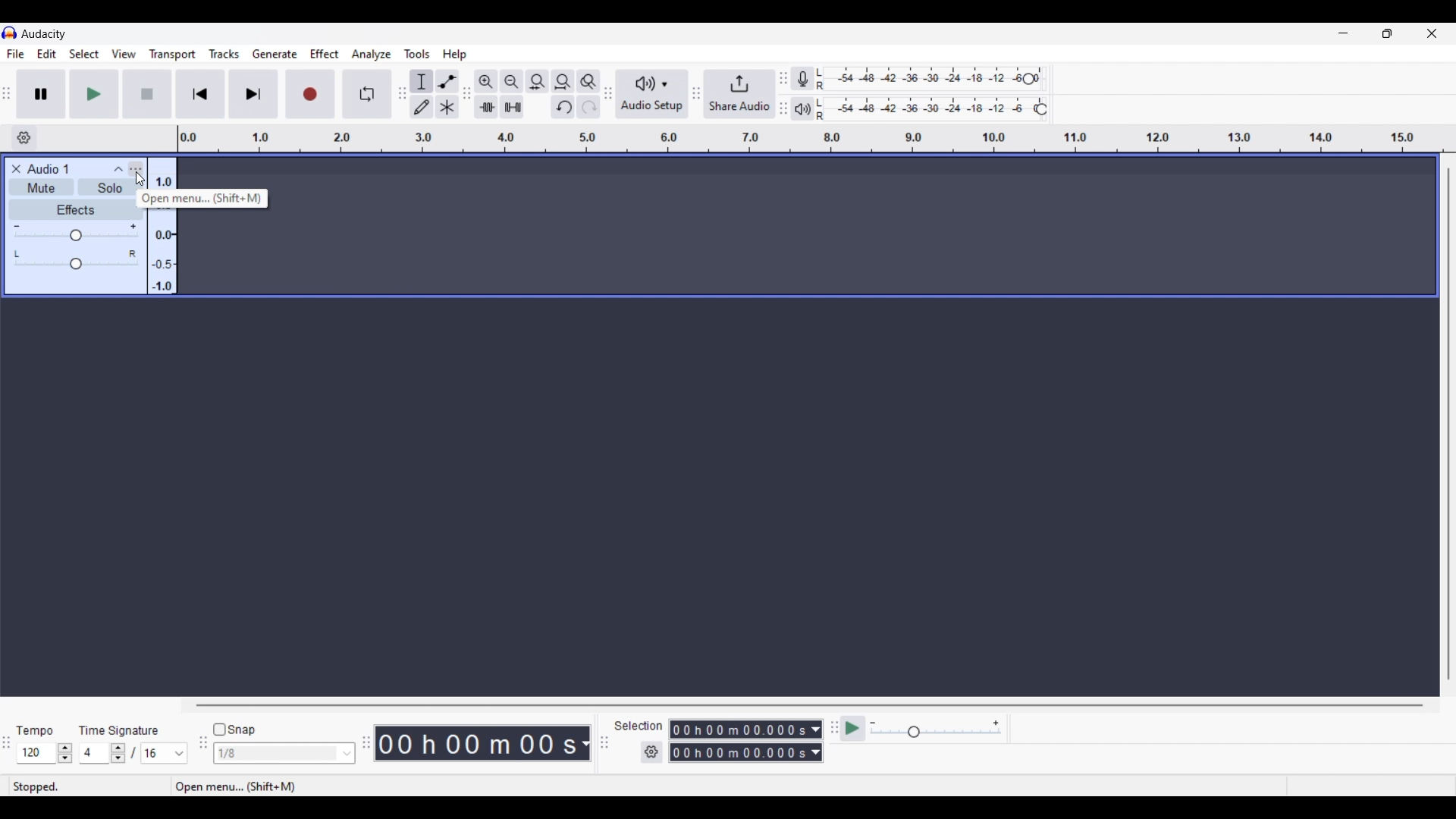 The width and height of the screenshot is (1456, 819). I want to click on Skip to start/Select to start, so click(200, 93).